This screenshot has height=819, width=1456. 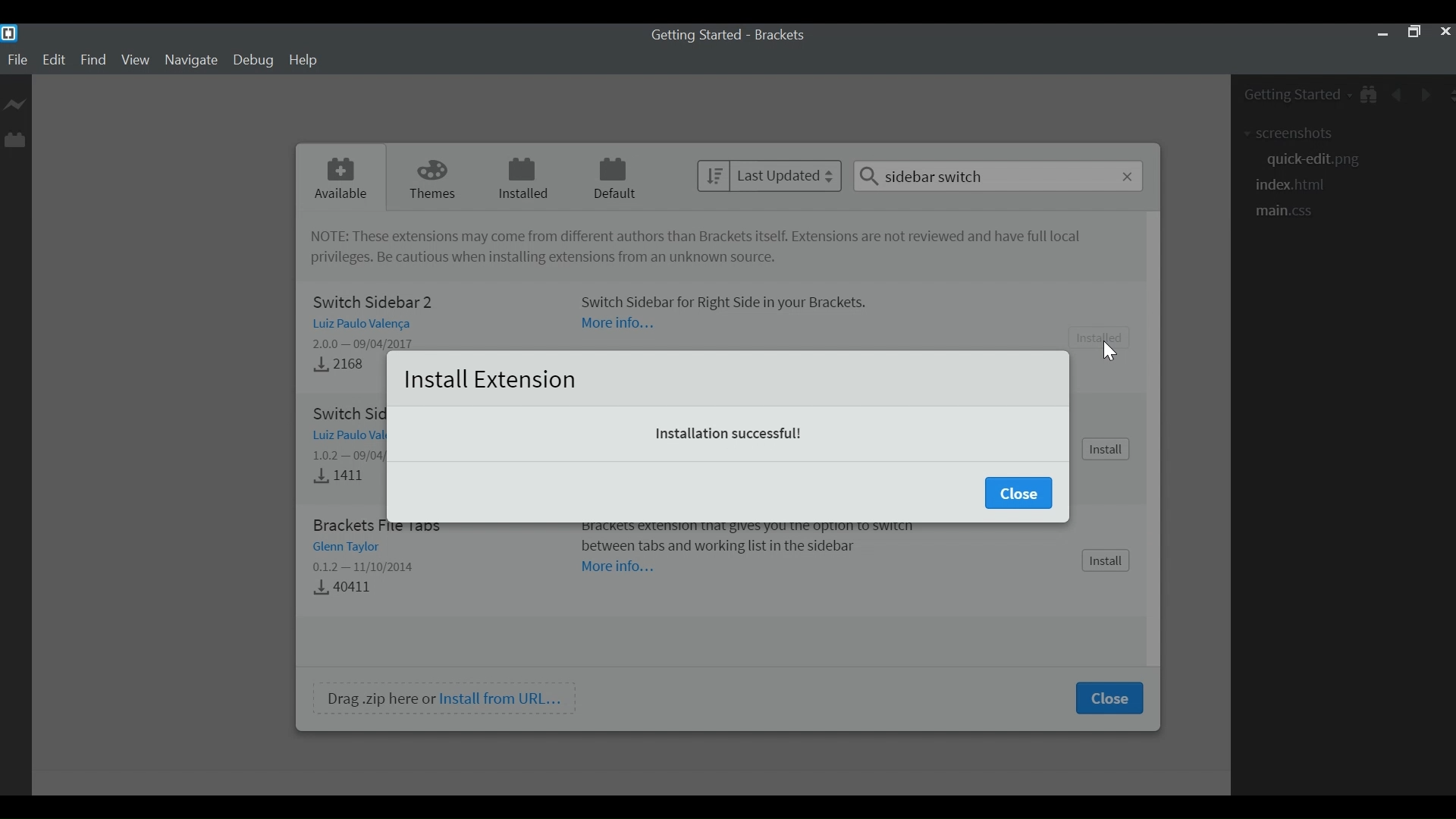 What do you see at coordinates (620, 567) in the screenshot?
I see `More Information` at bounding box center [620, 567].